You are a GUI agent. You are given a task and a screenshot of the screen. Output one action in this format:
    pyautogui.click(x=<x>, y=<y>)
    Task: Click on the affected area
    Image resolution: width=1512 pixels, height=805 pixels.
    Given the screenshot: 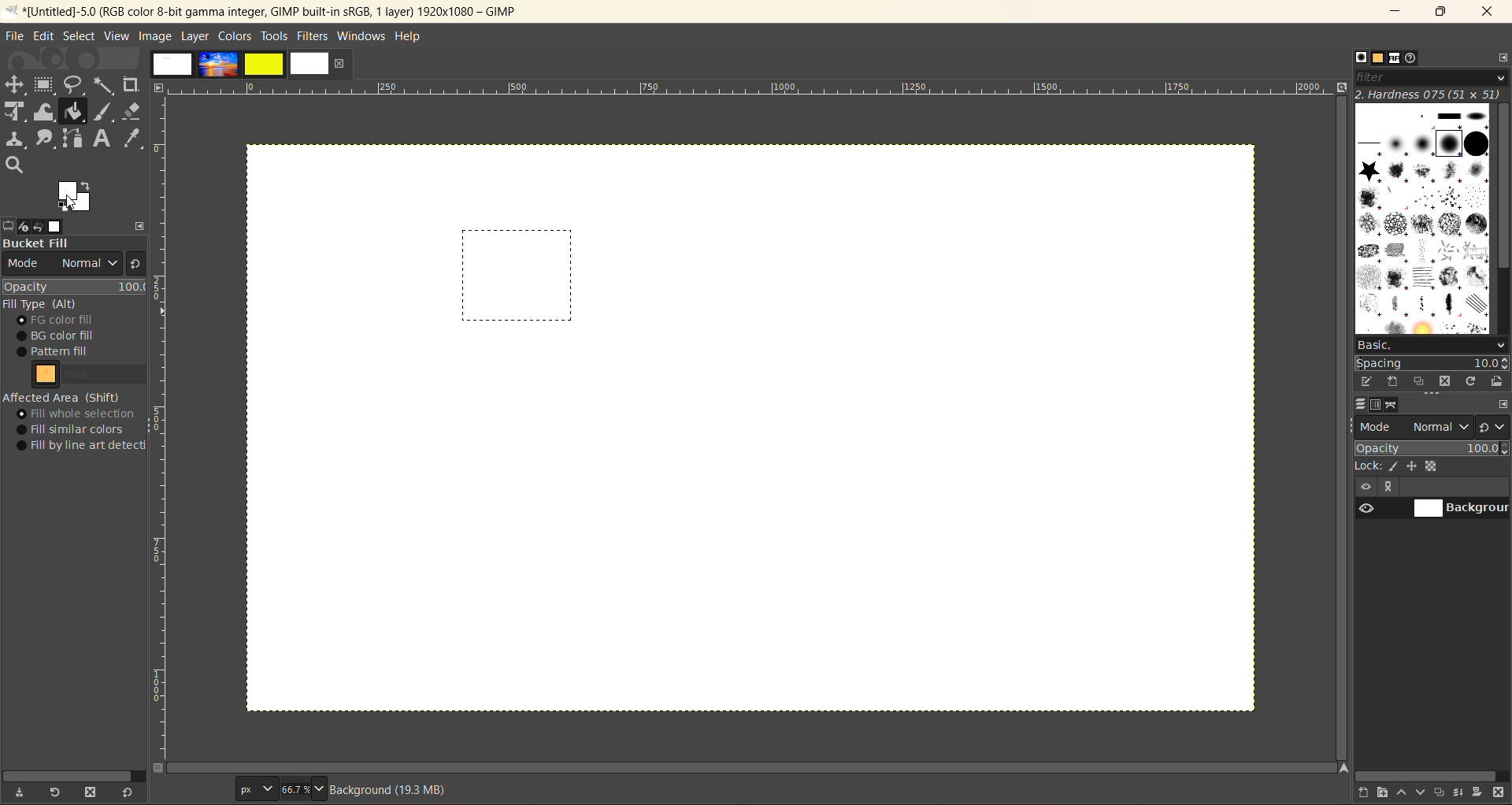 What is the action you would take?
    pyautogui.click(x=63, y=397)
    